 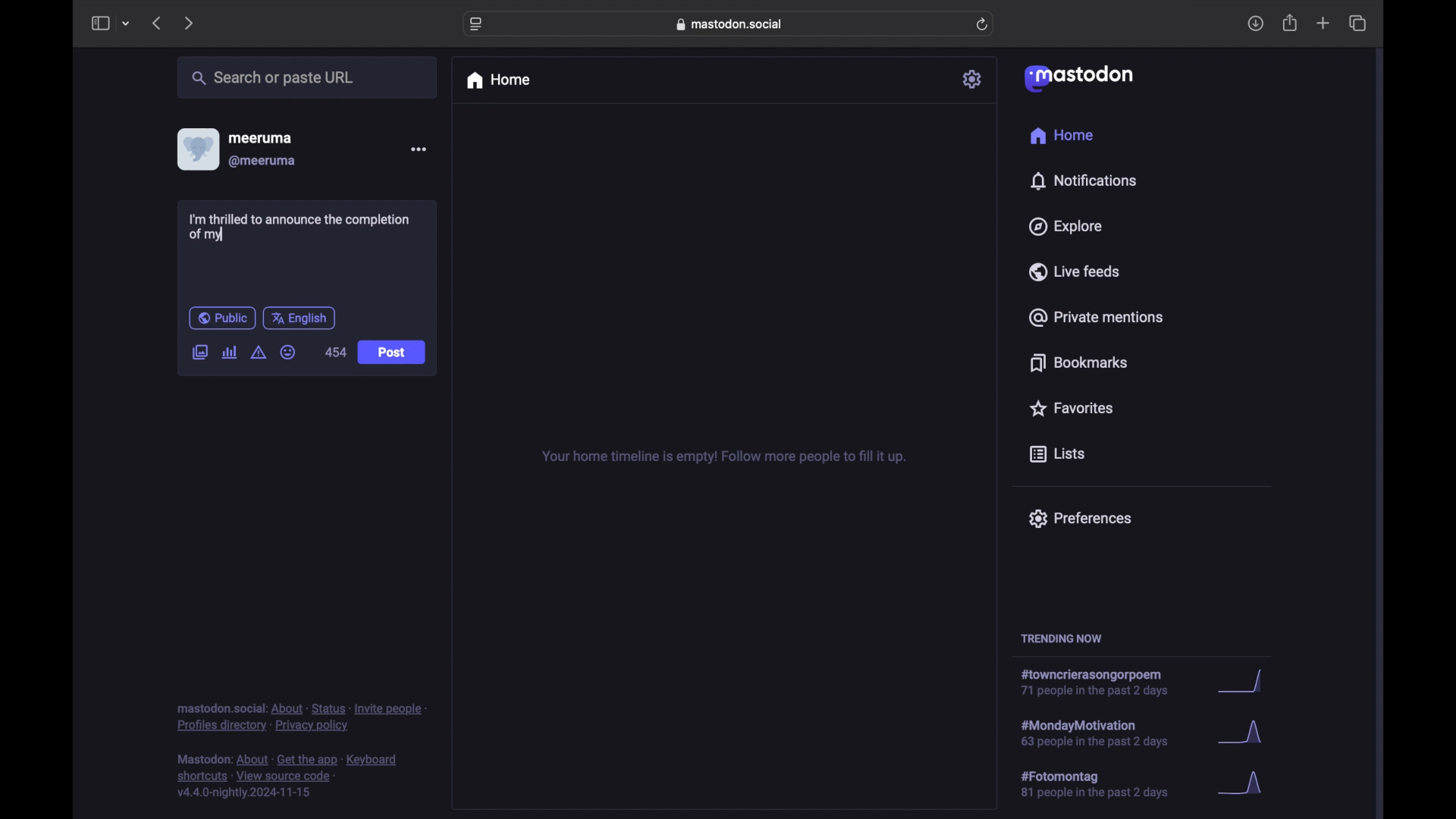 I want to click on your home timeline is  empty! follow for more tips, so click(x=722, y=457).